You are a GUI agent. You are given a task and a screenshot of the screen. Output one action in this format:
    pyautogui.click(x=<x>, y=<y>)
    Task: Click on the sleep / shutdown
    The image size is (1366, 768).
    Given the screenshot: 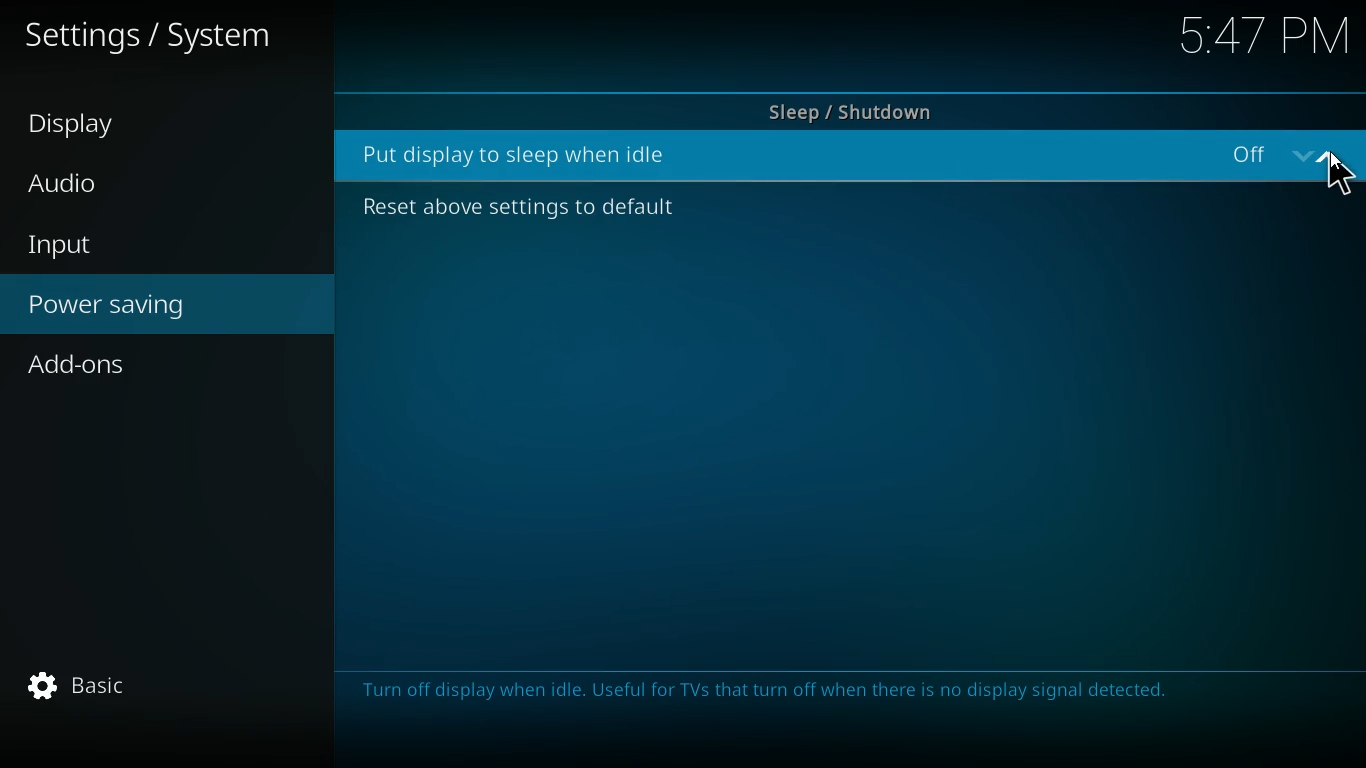 What is the action you would take?
    pyautogui.click(x=848, y=106)
    